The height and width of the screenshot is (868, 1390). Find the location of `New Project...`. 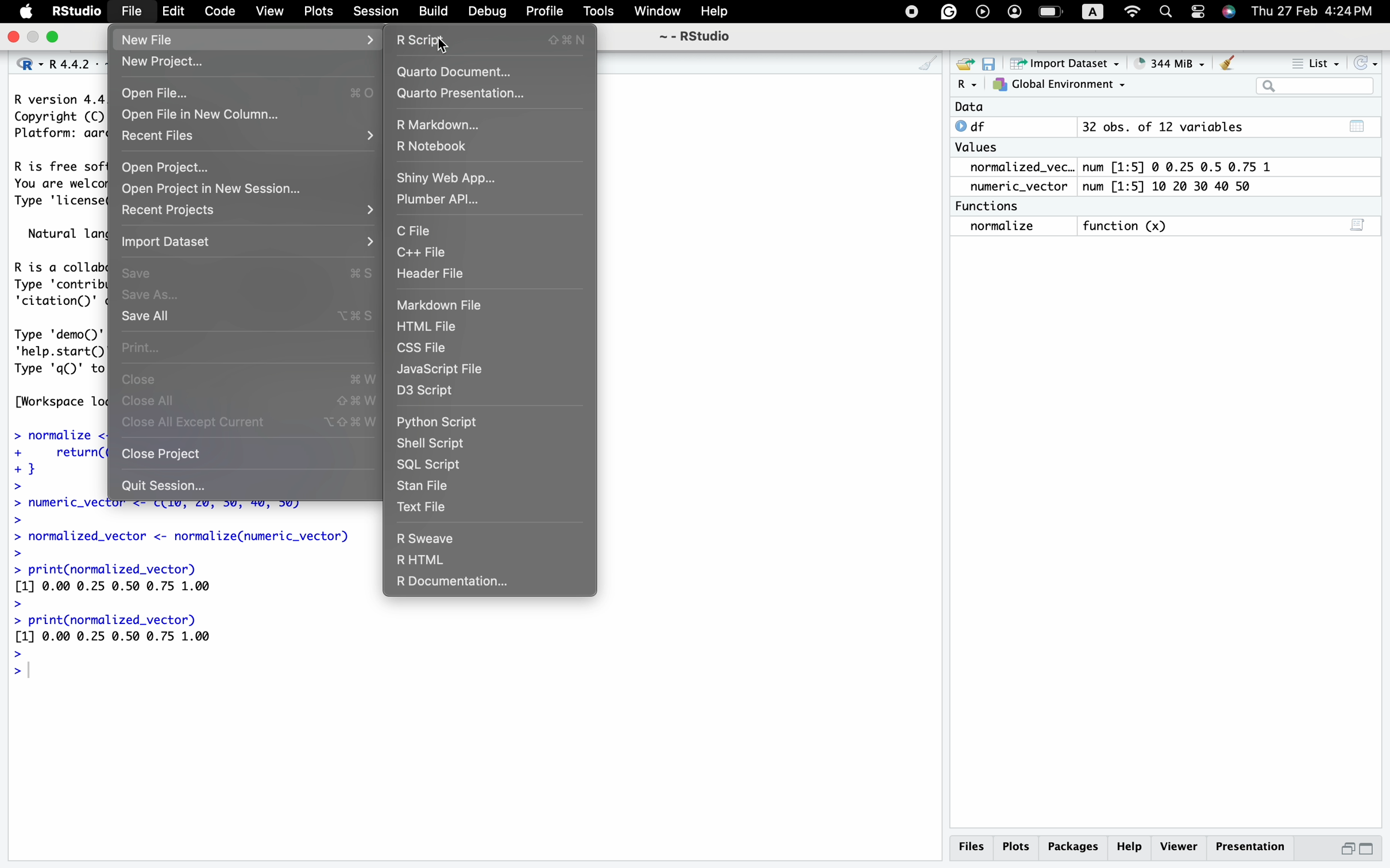

New Project... is located at coordinates (160, 64).